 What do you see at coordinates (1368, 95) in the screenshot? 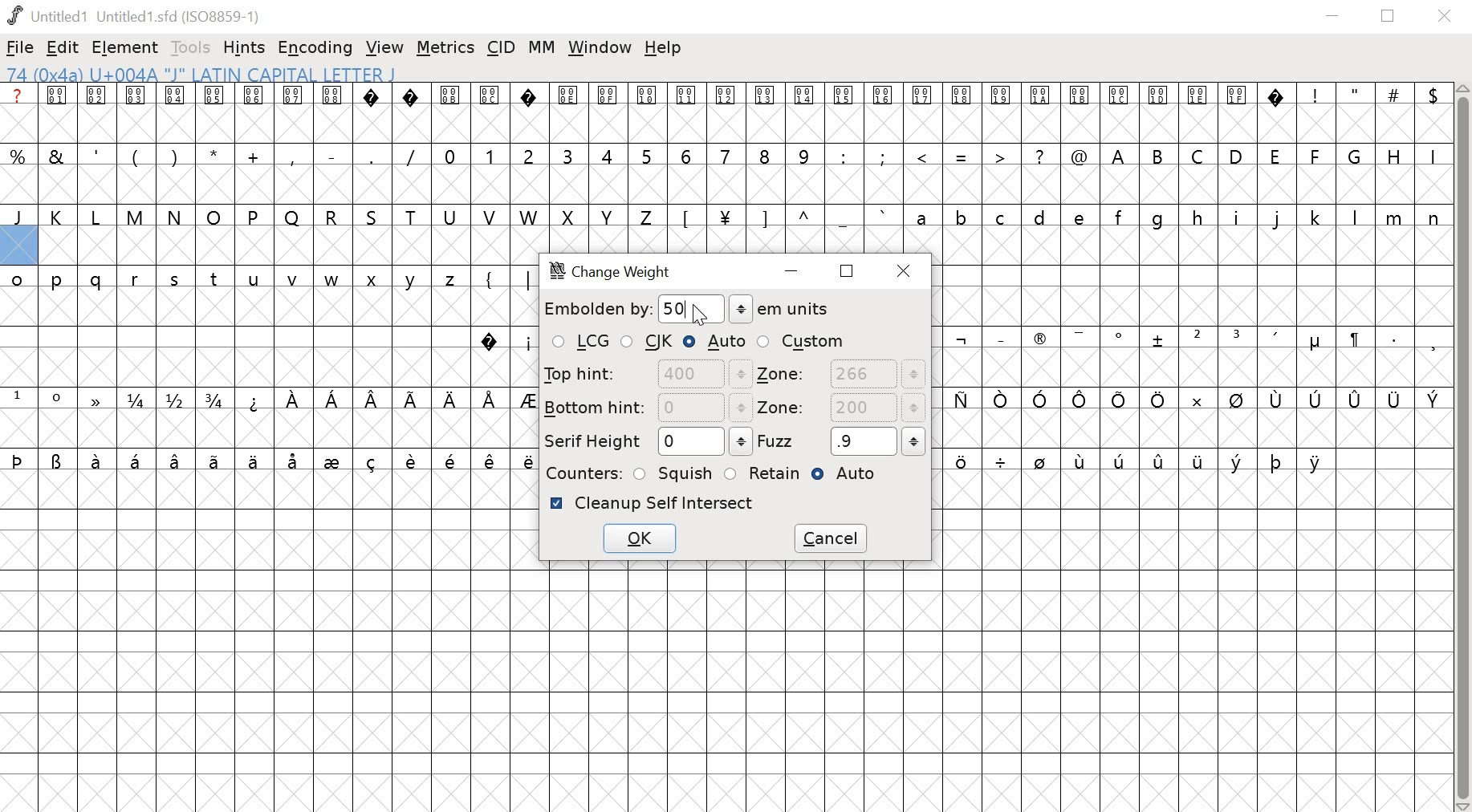
I see `special characters` at bounding box center [1368, 95].